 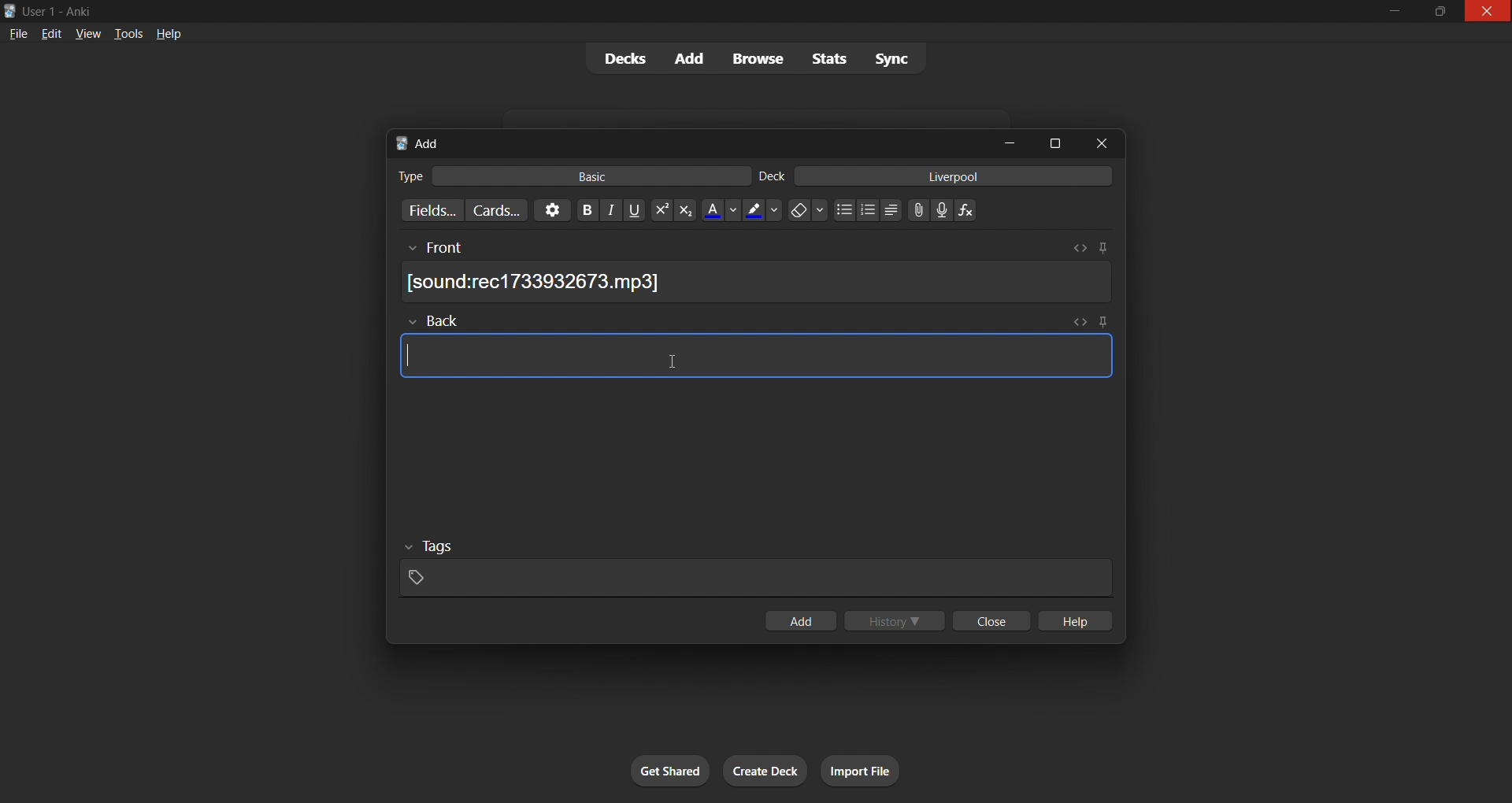 What do you see at coordinates (610, 212) in the screenshot?
I see `italic` at bounding box center [610, 212].